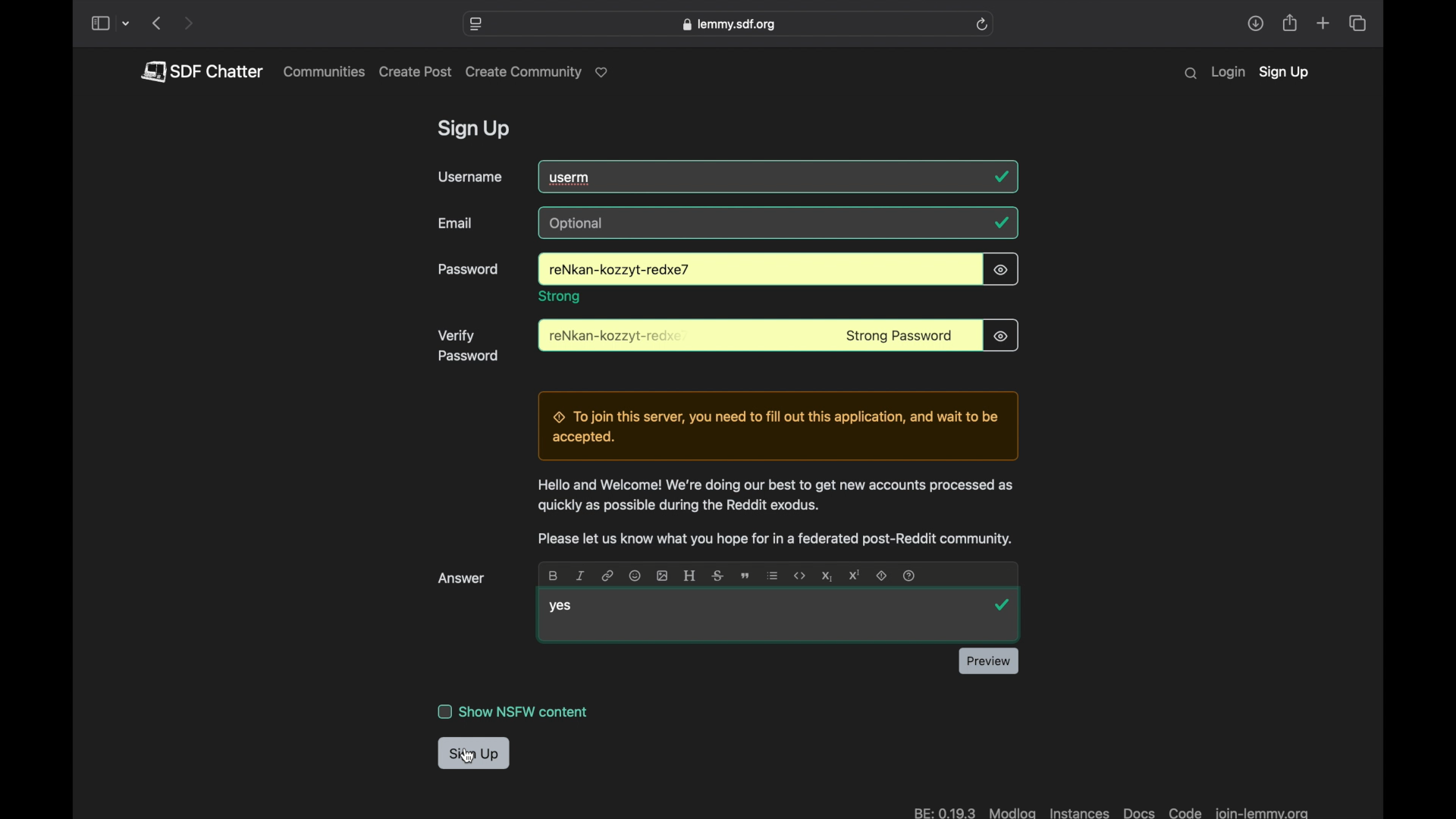 This screenshot has height=819, width=1456. What do you see at coordinates (1000, 335) in the screenshot?
I see `obscure icon` at bounding box center [1000, 335].